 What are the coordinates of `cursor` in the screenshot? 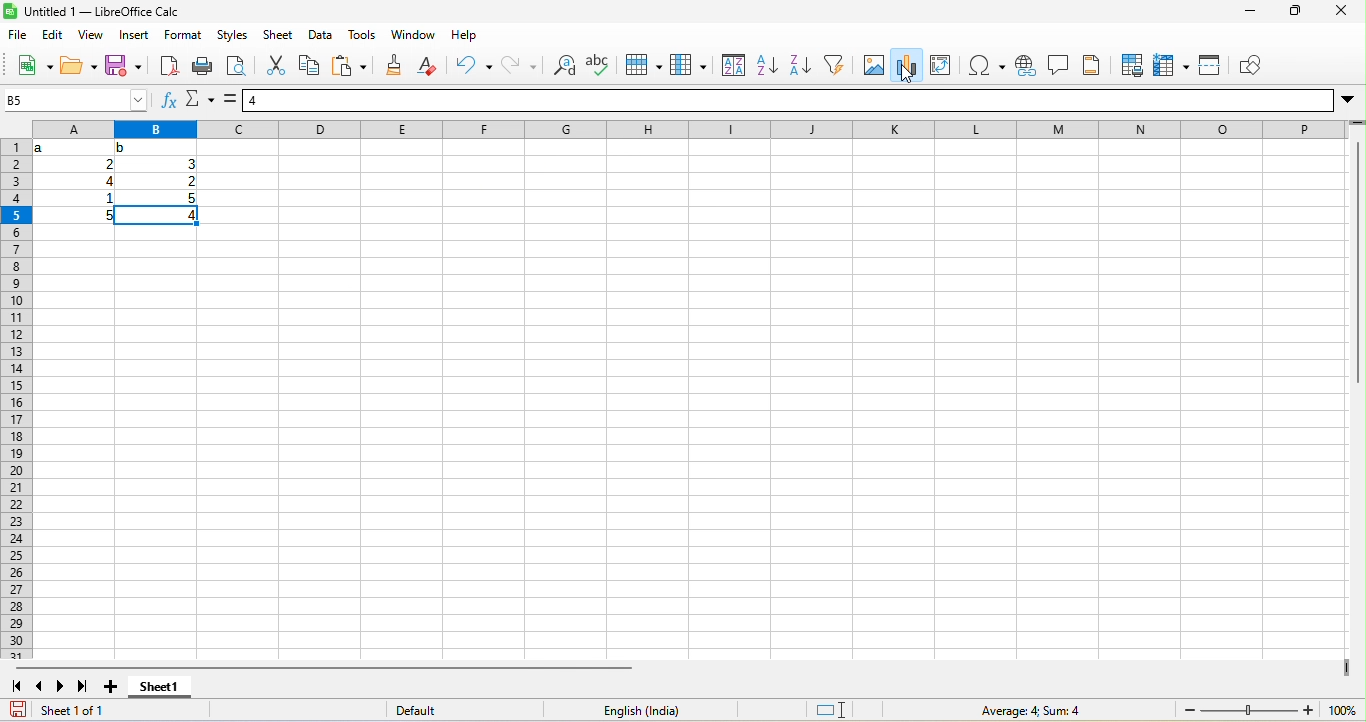 It's located at (907, 74).